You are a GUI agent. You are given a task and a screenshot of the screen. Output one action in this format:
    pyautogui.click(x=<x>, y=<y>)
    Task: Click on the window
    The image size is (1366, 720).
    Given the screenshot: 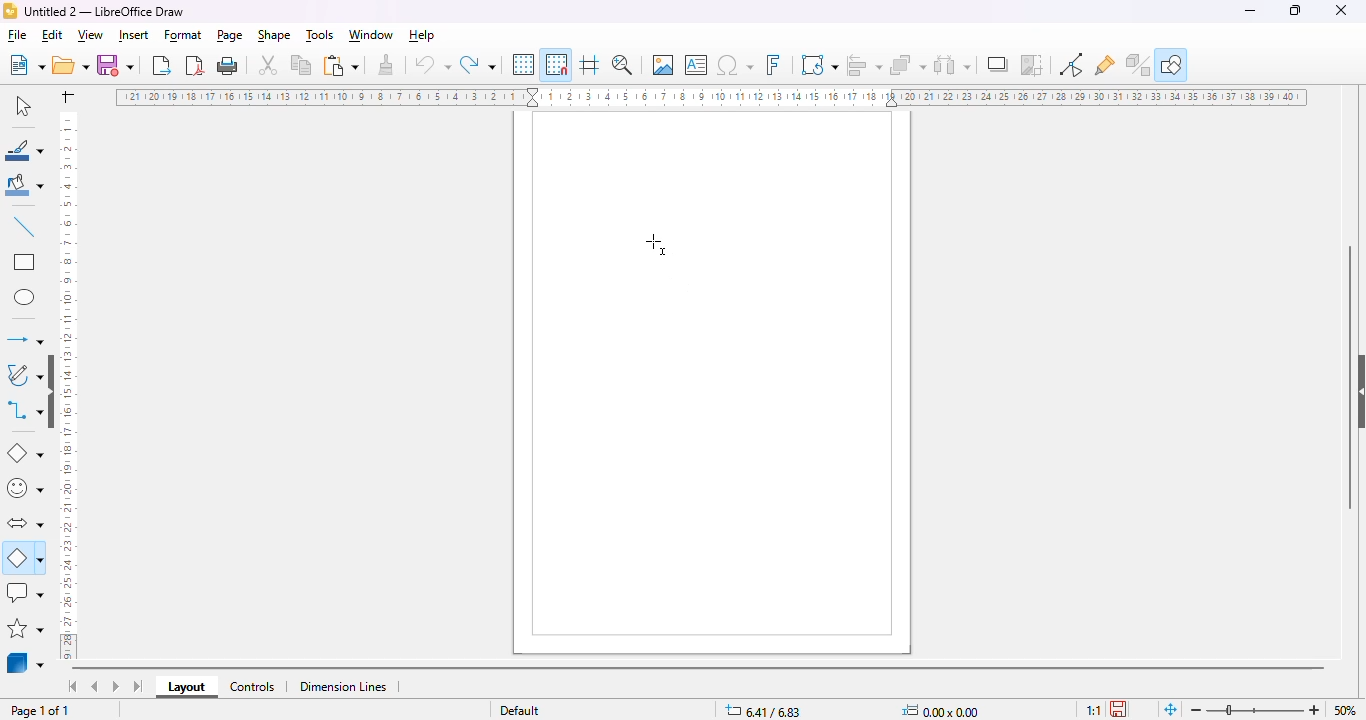 What is the action you would take?
    pyautogui.click(x=372, y=35)
    